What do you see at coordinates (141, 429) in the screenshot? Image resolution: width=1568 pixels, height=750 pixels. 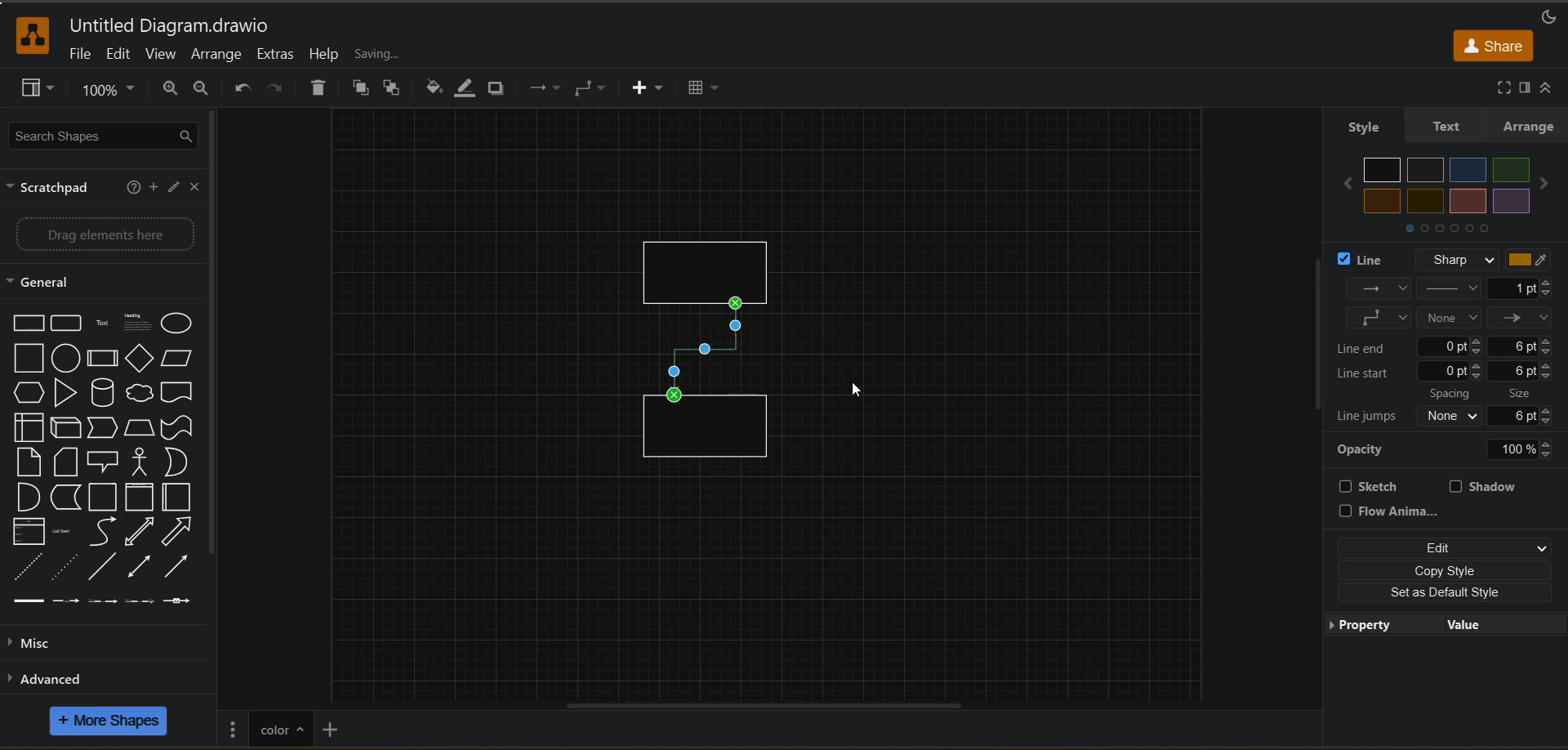 I see `Trapezoid` at bounding box center [141, 429].